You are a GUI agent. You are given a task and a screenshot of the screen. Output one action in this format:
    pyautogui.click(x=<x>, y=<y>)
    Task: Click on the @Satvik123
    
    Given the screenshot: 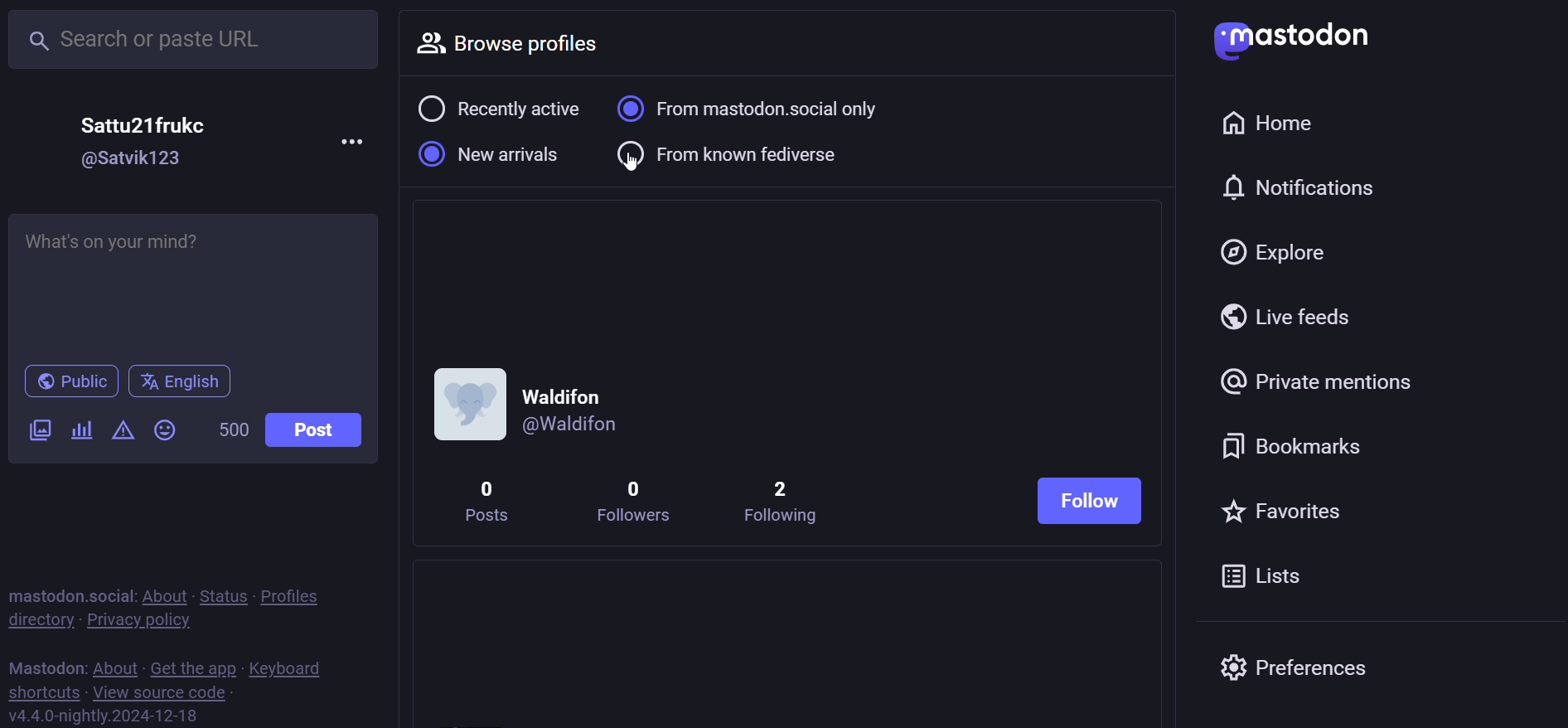 What is the action you would take?
    pyautogui.click(x=137, y=156)
    